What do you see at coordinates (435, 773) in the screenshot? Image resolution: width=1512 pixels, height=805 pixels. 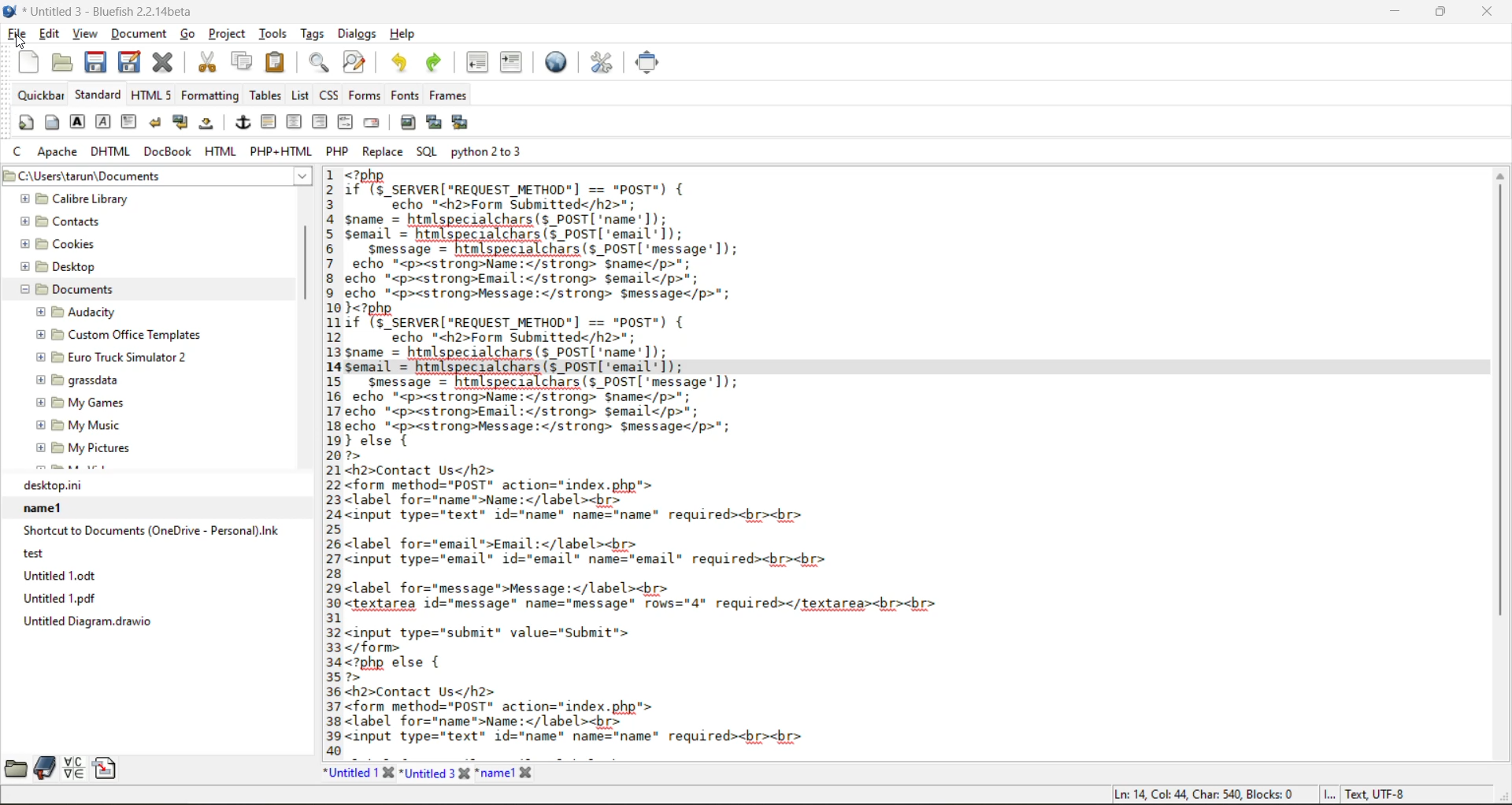 I see `Untitled 3 tab` at bounding box center [435, 773].